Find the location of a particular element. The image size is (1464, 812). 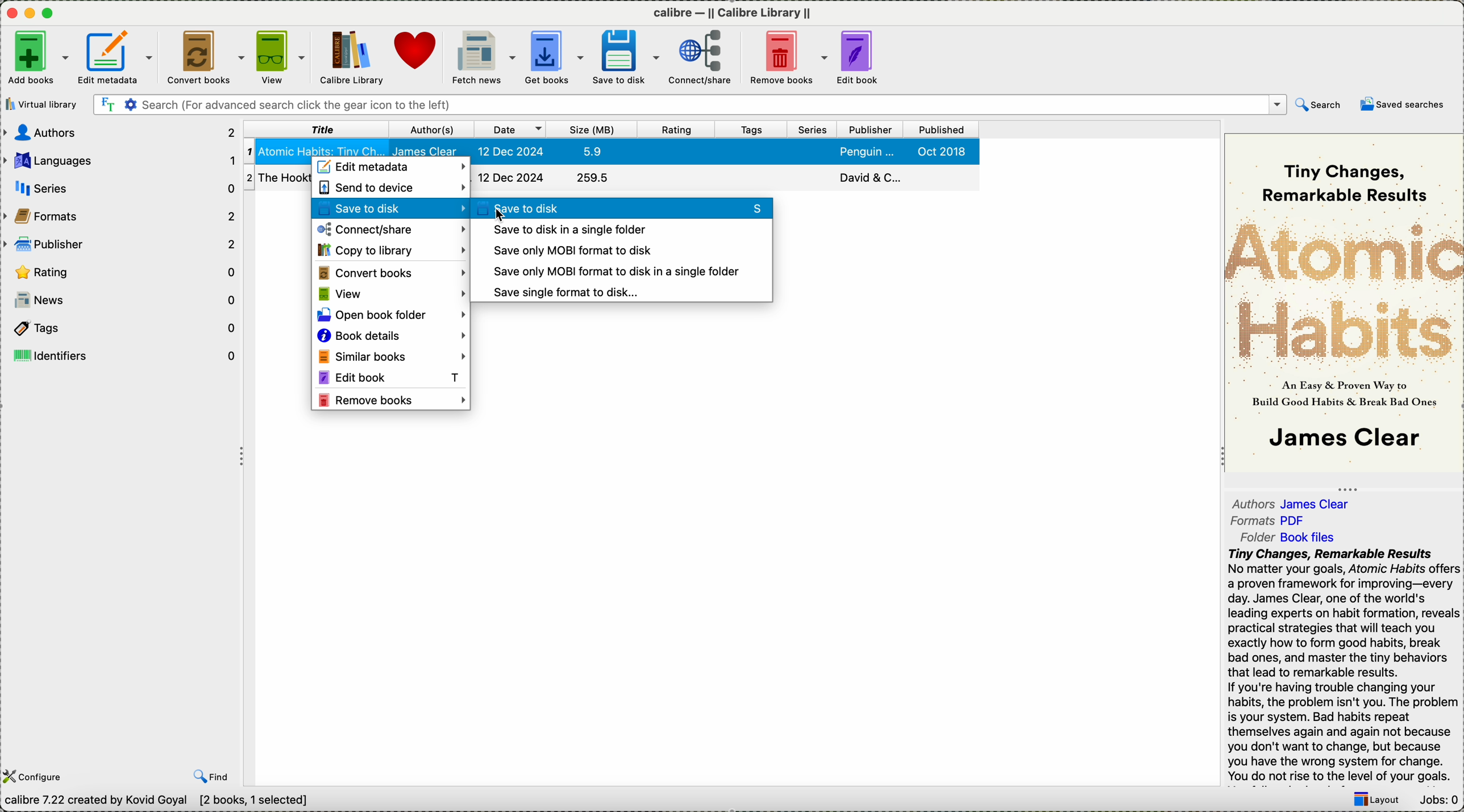

search is located at coordinates (1317, 104).